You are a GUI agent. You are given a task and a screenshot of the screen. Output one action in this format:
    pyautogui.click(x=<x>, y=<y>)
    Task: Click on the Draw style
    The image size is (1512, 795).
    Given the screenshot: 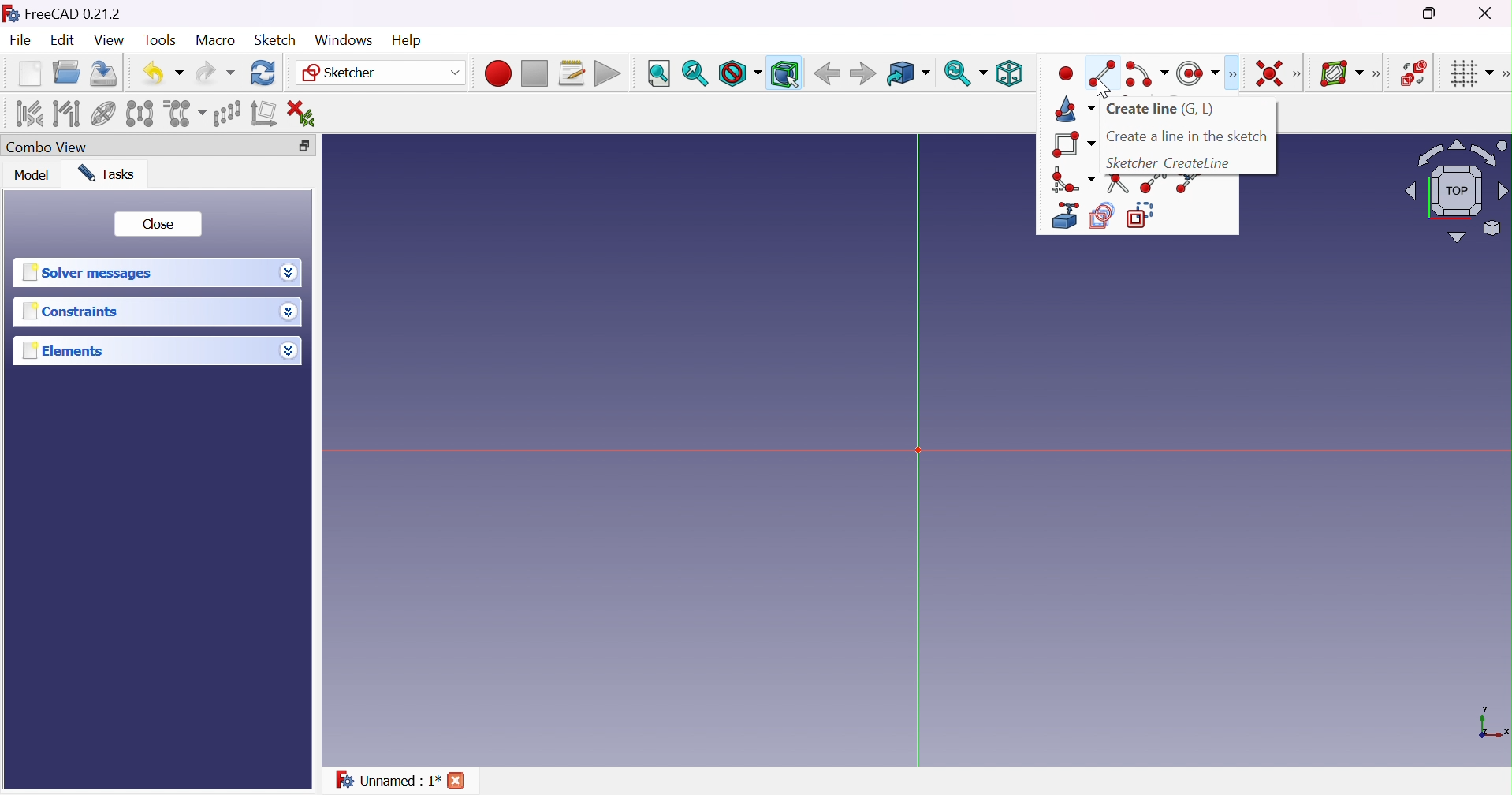 What is the action you would take?
    pyautogui.click(x=740, y=73)
    